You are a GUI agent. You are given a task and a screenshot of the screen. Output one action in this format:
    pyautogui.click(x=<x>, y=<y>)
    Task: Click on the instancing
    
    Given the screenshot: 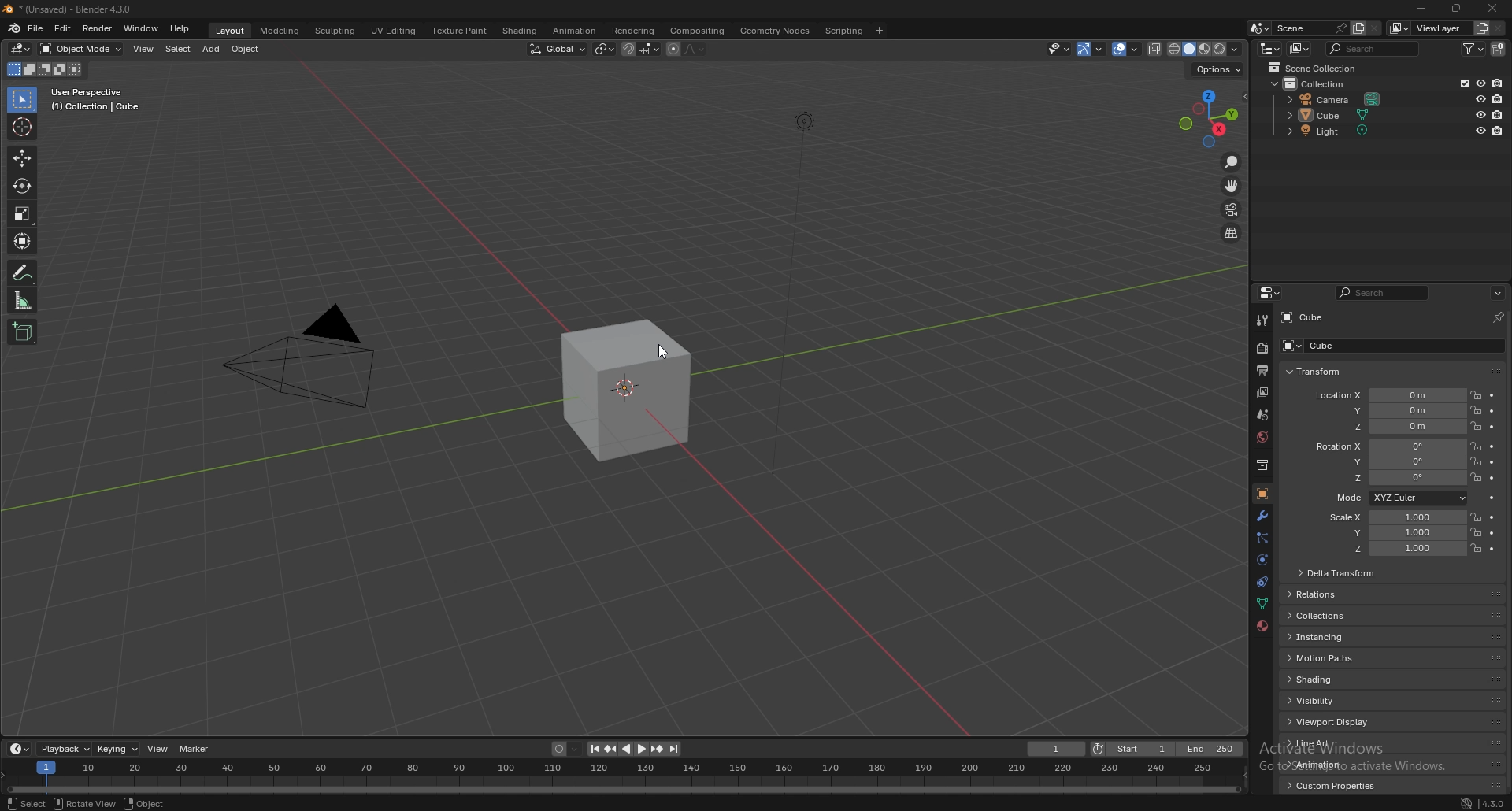 What is the action you would take?
    pyautogui.click(x=1329, y=639)
    